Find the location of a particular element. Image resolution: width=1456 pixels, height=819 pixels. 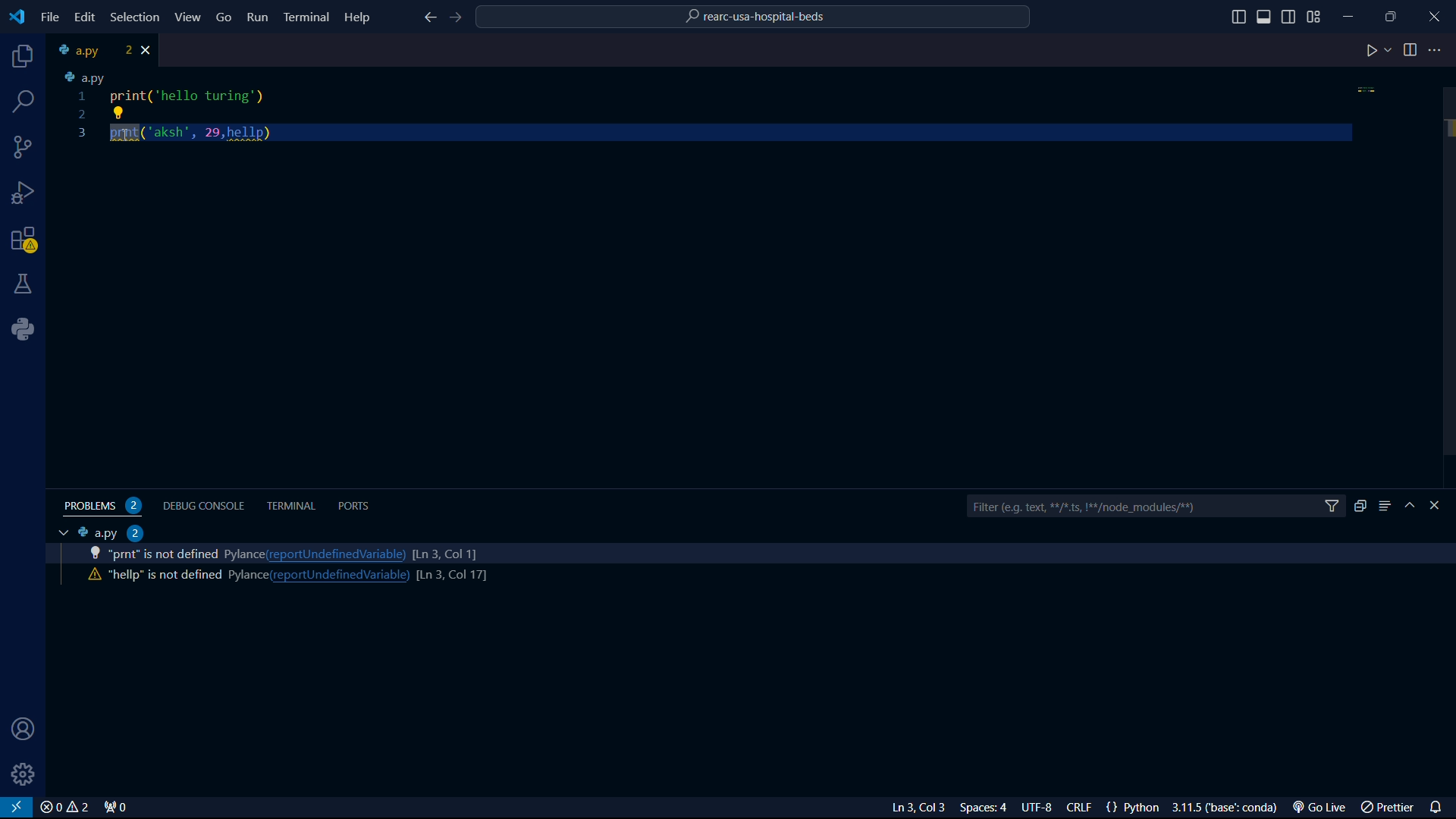

minimize is located at coordinates (1353, 13).